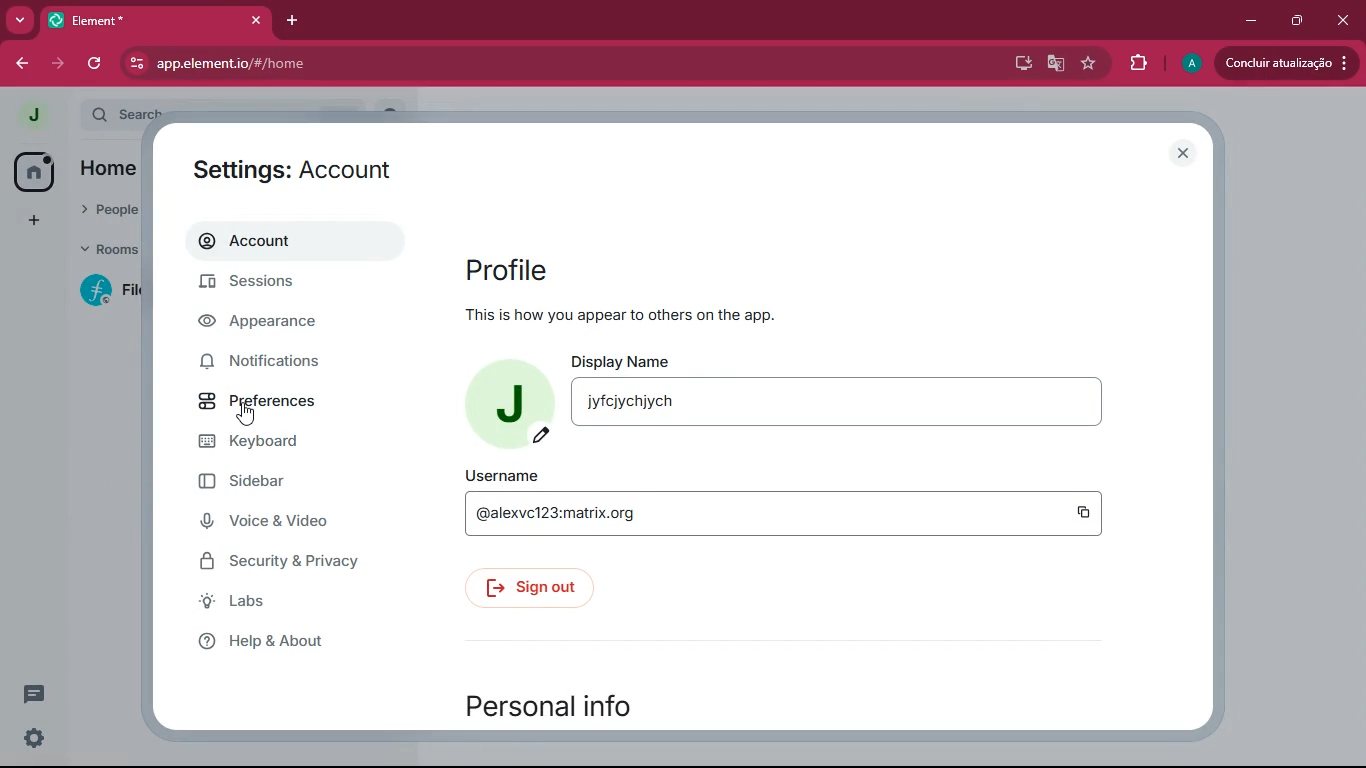  I want to click on close, so click(1345, 18).